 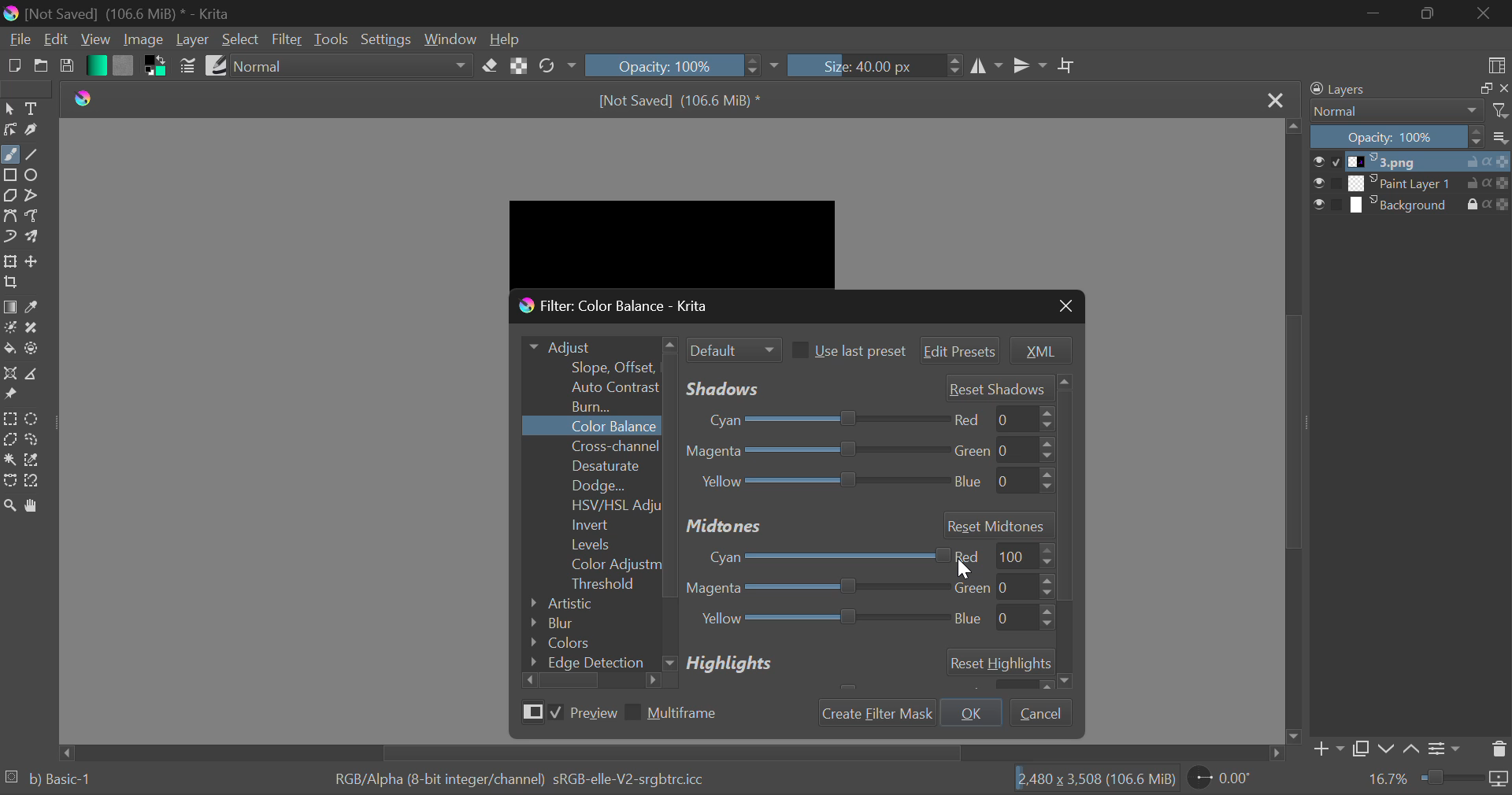 I want to click on Freehand Tool, so click(x=9, y=154).